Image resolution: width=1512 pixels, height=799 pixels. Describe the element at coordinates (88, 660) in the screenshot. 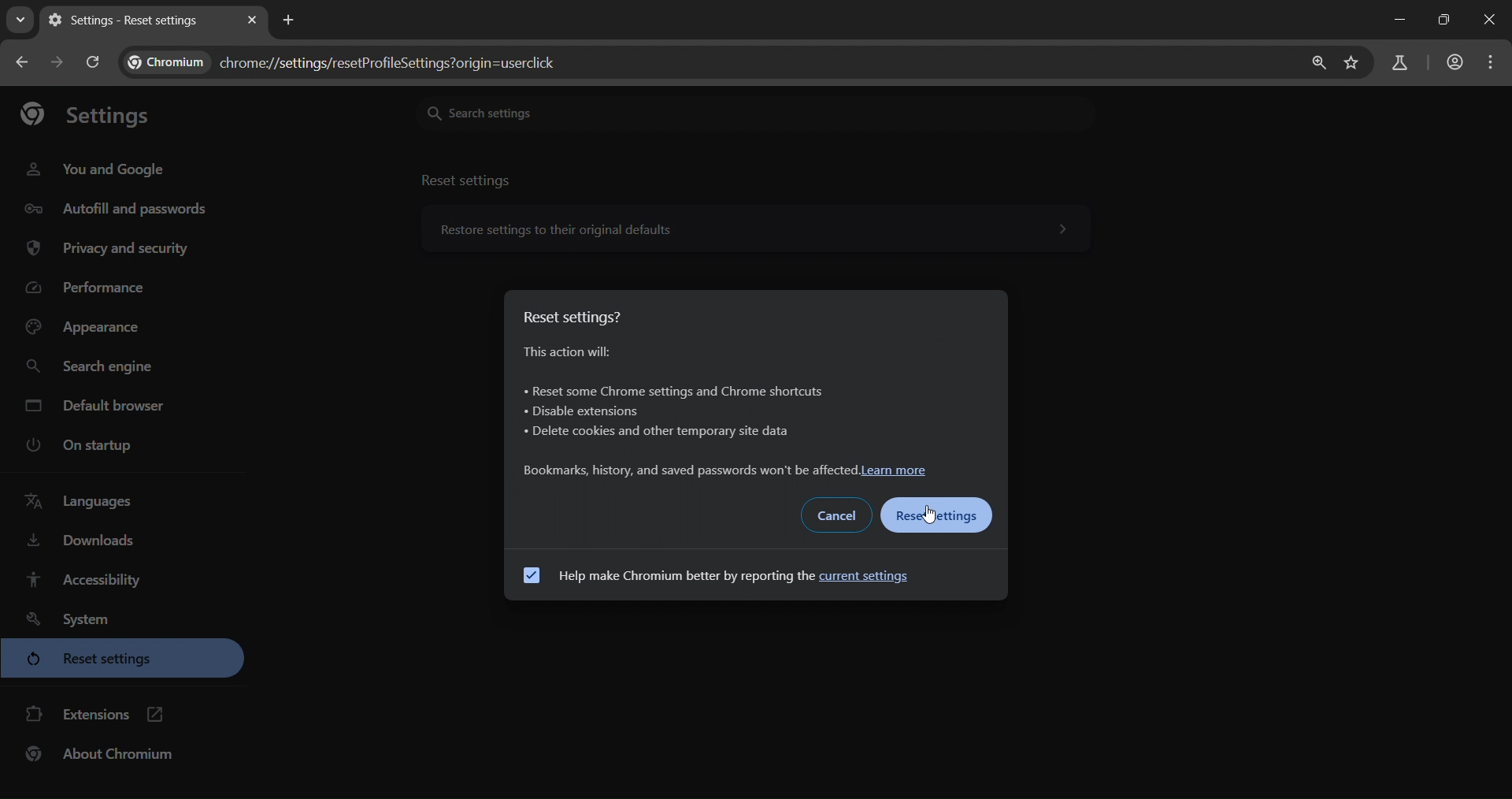

I see `reset settings` at that location.